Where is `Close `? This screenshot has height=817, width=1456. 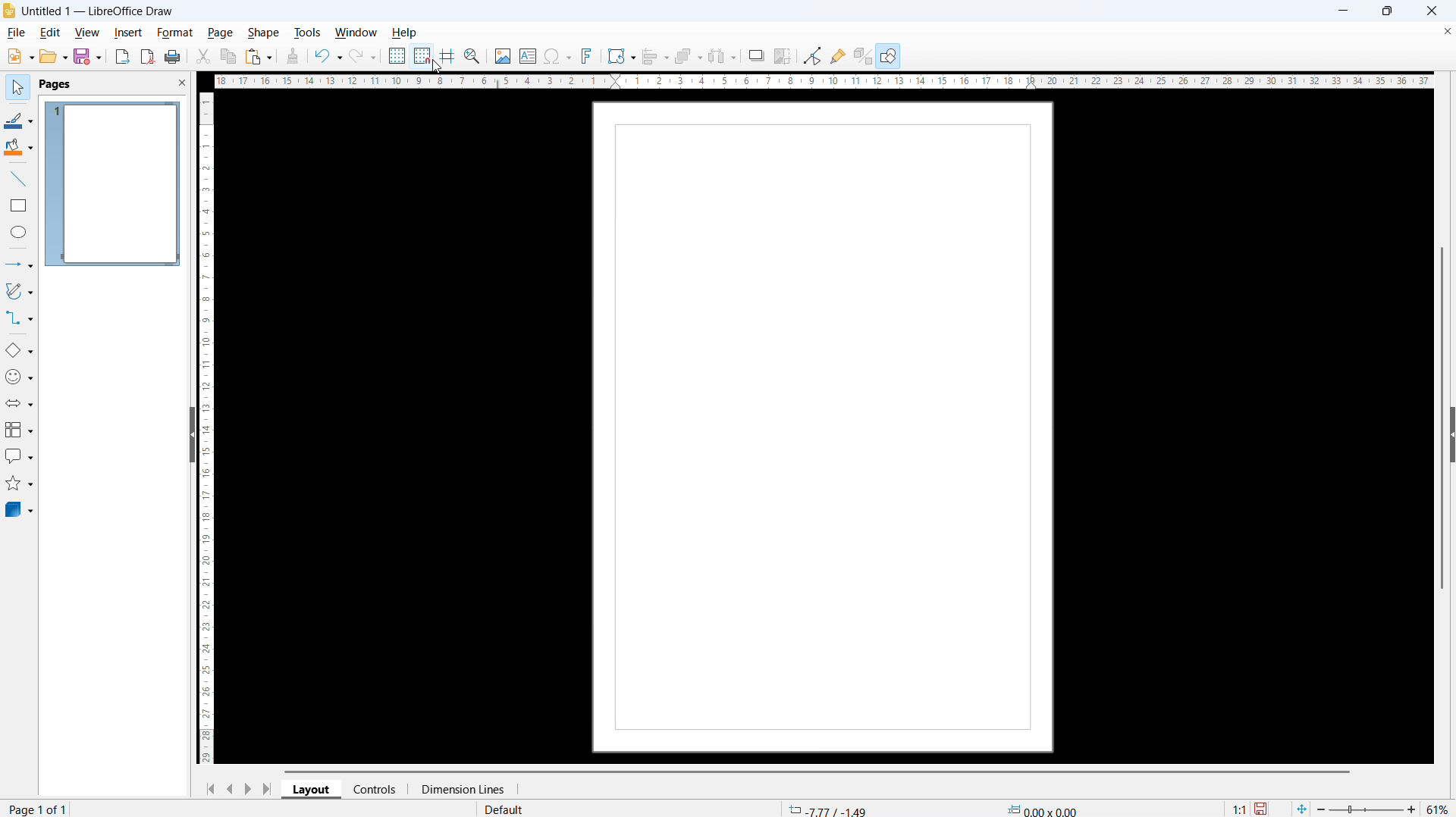 Close  is located at coordinates (1430, 11).